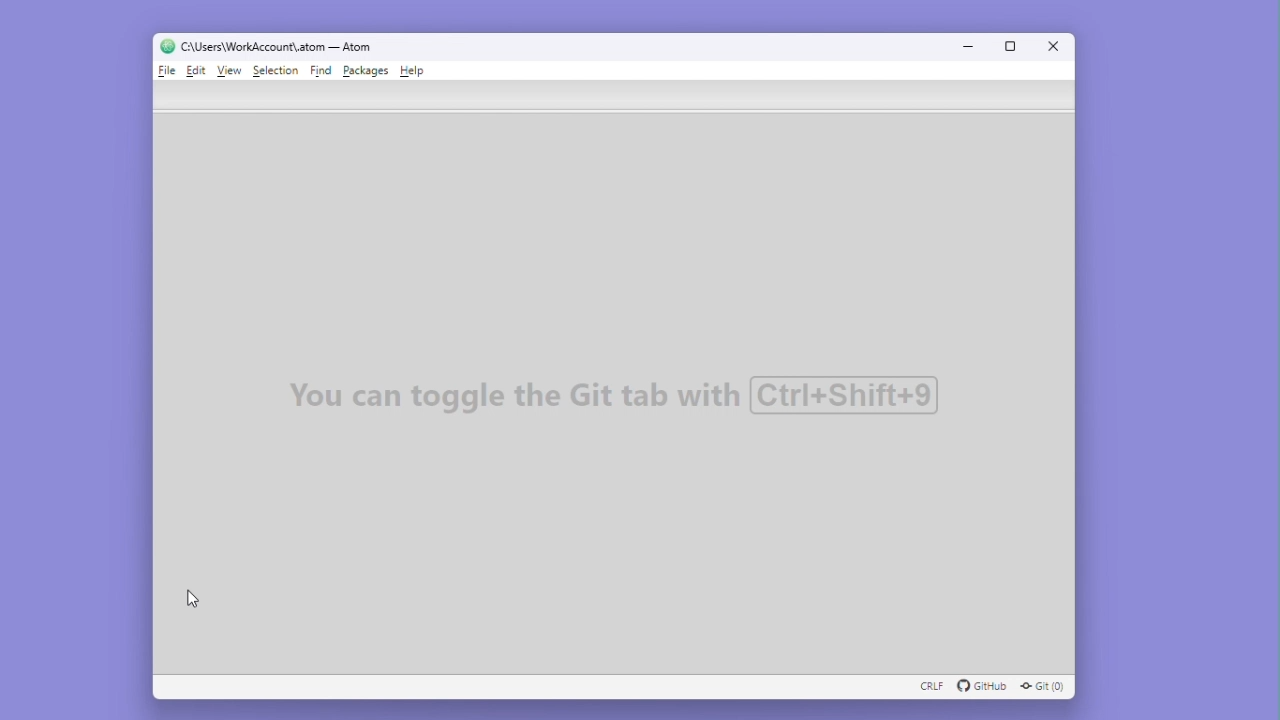 This screenshot has height=720, width=1280. What do you see at coordinates (617, 395) in the screenshot?
I see `You can toggle the Git tab with Ctrl+Shift+9` at bounding box center [617, 395].